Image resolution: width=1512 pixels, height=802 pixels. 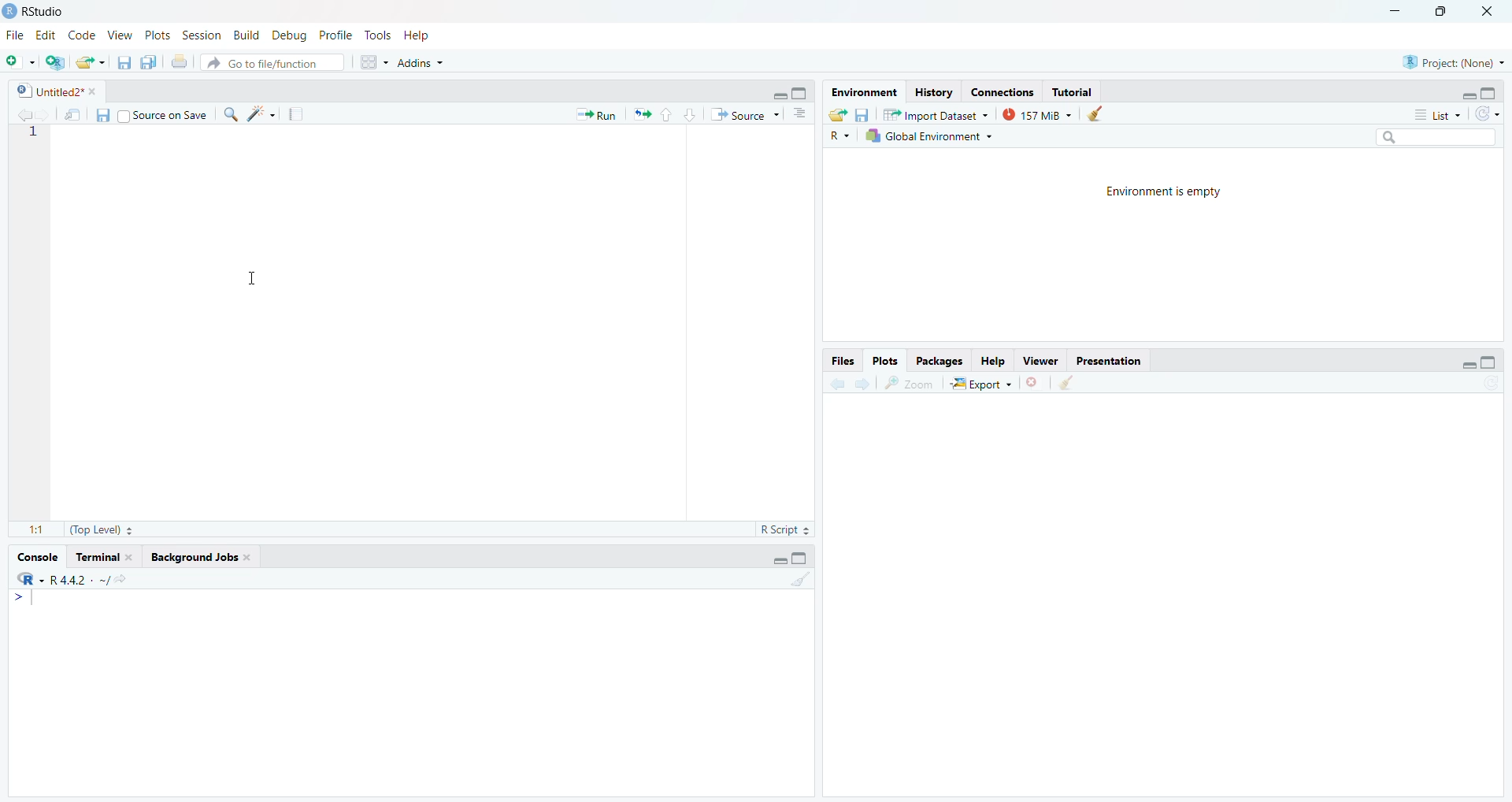 I want to click on clear console, so click(x=800, y=581).